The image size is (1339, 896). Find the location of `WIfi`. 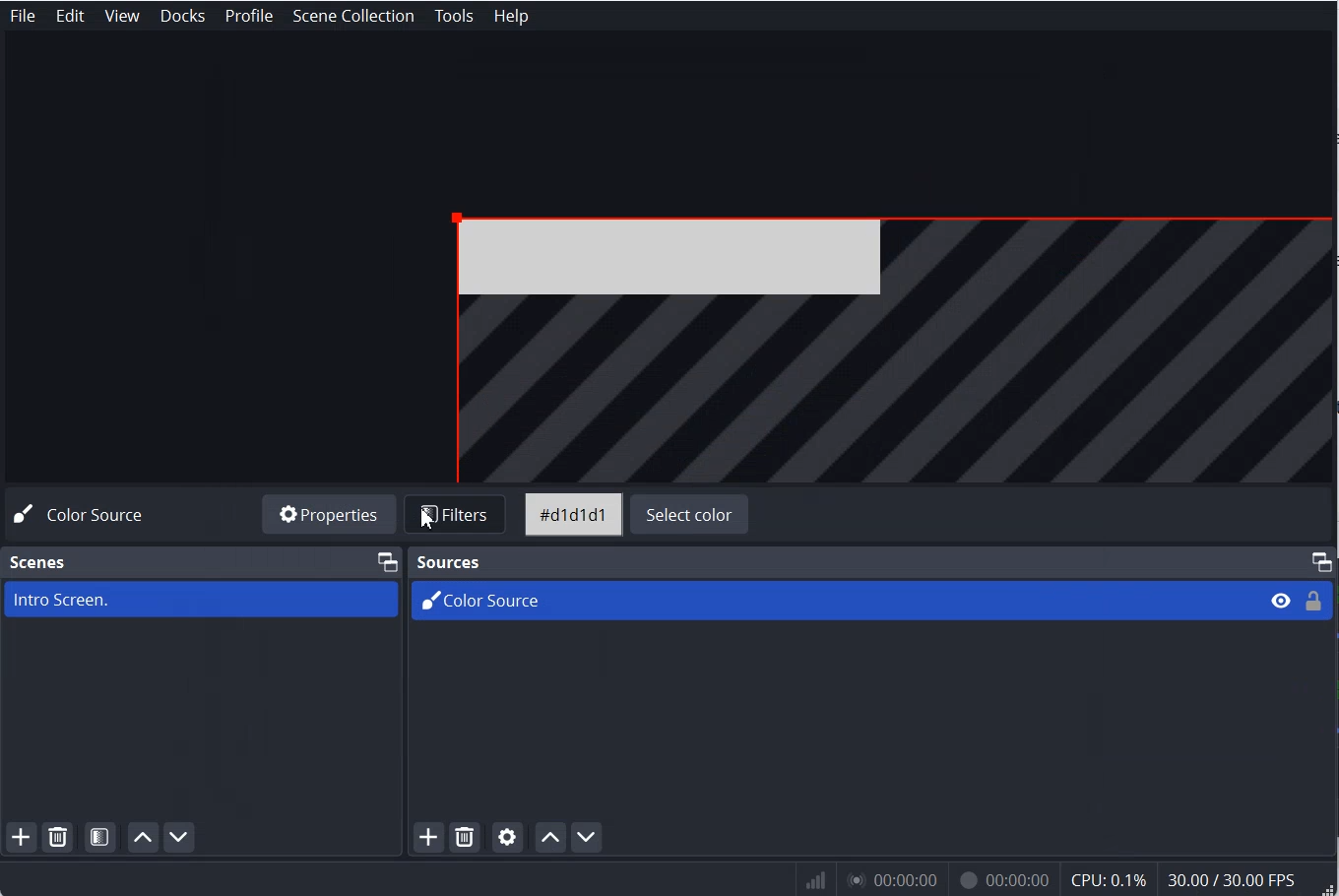

WIfi is located at coordinates (817, 880).